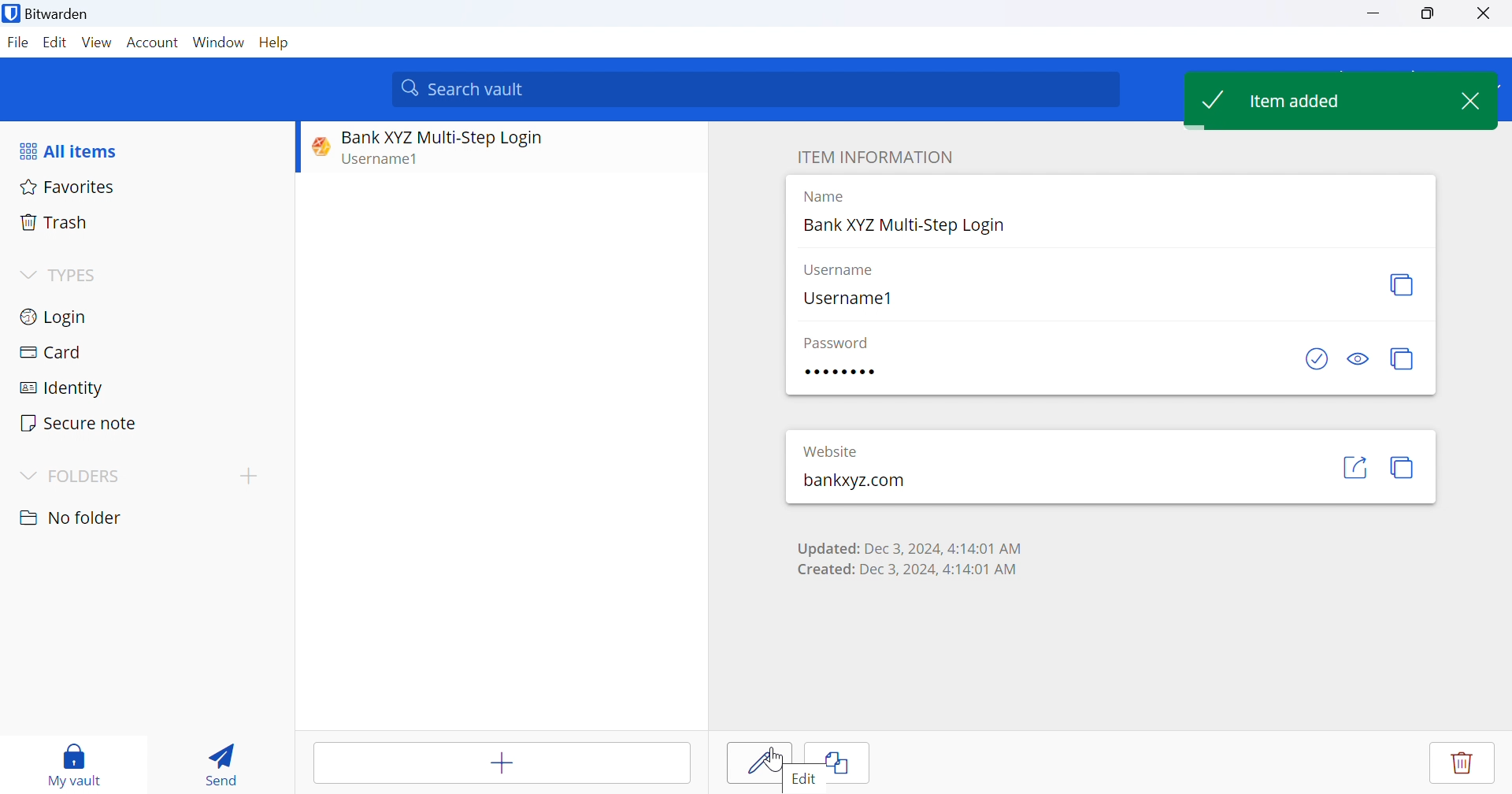  Describe the element at coordinates (758, 89) in the screenshot. I see `Search vault` at that location.